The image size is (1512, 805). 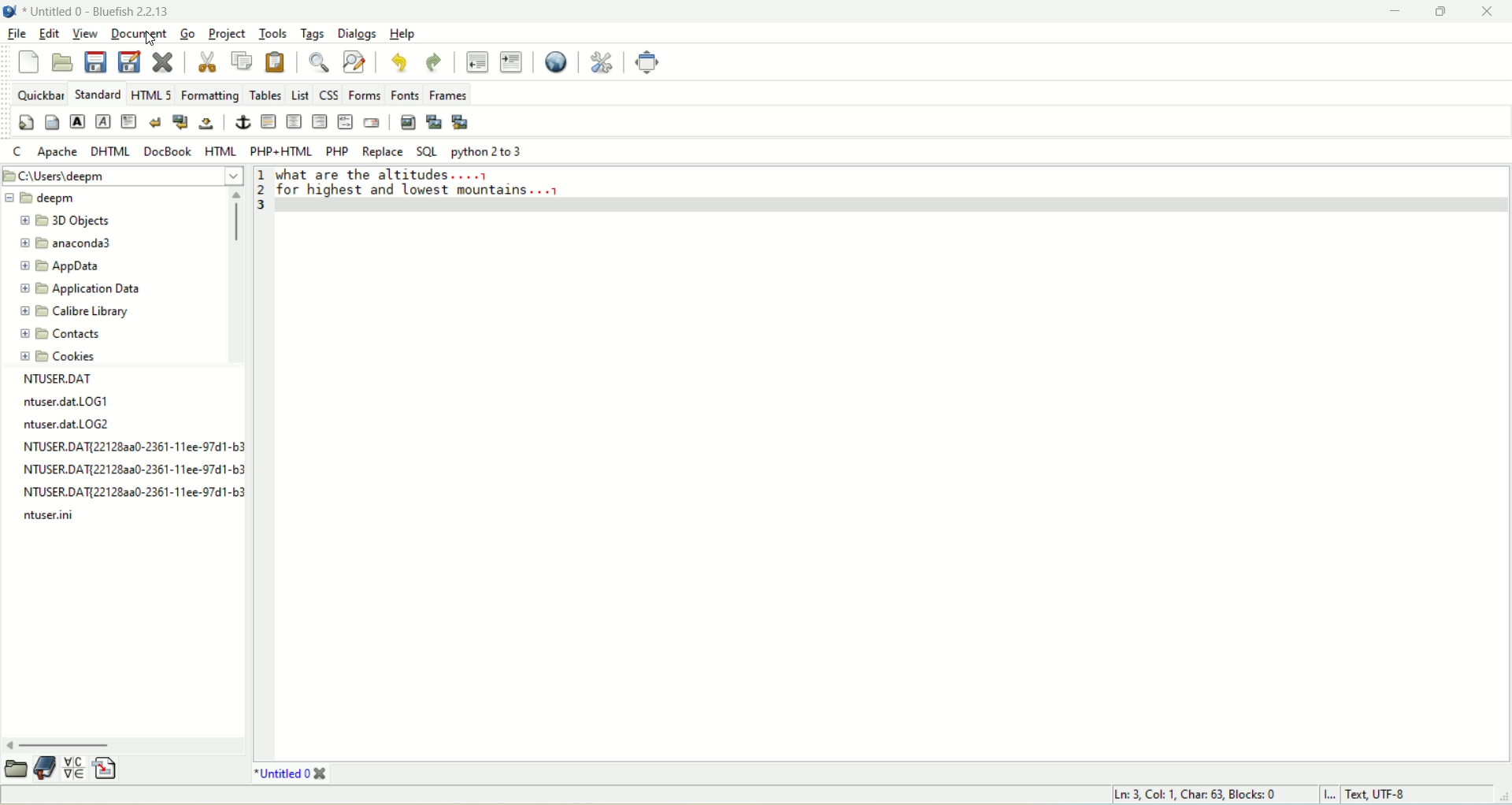 I want to click on close, so click(x=1489, y=13).